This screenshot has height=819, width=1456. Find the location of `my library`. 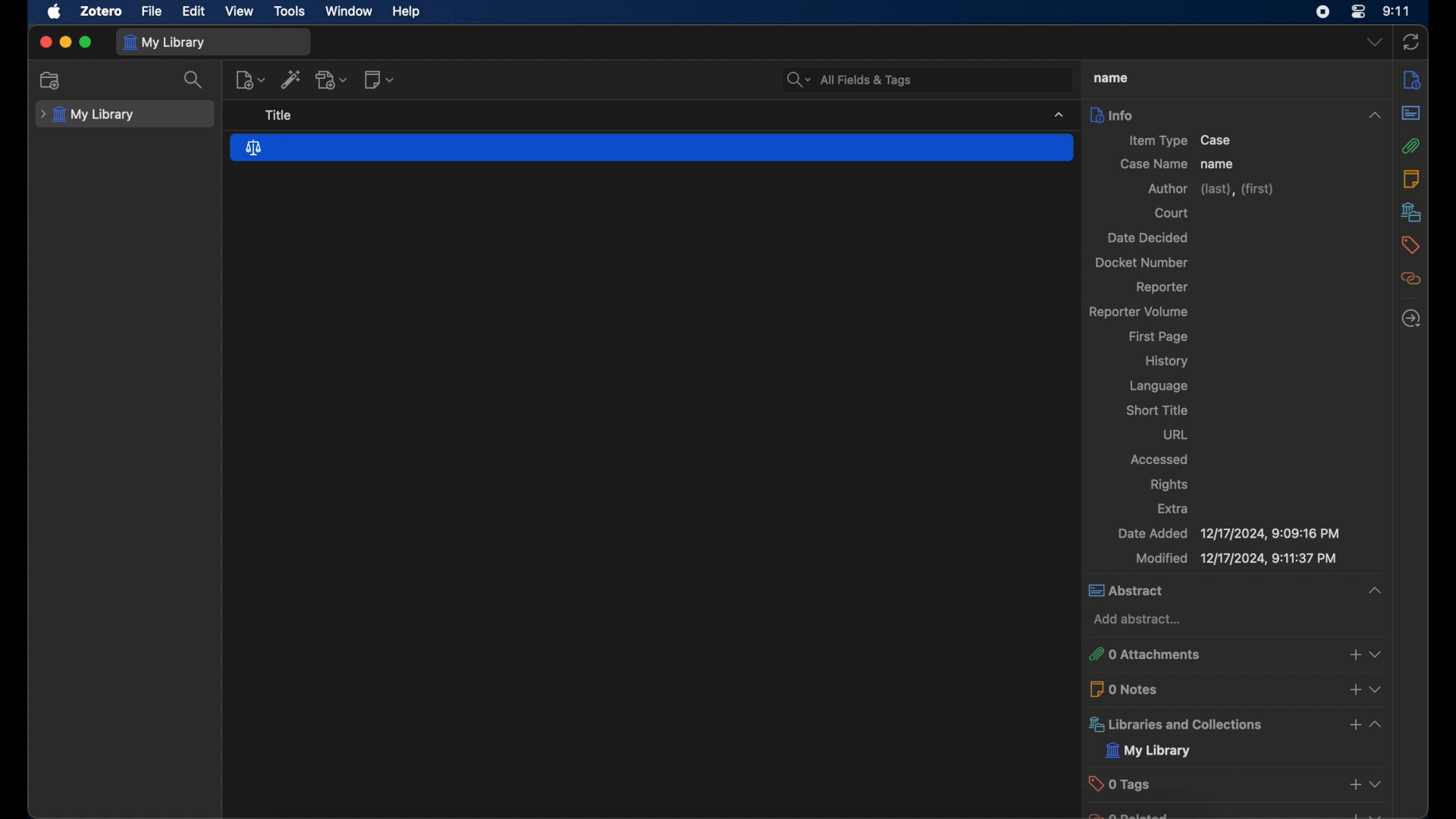

my library is located at coordinates (90, 115).